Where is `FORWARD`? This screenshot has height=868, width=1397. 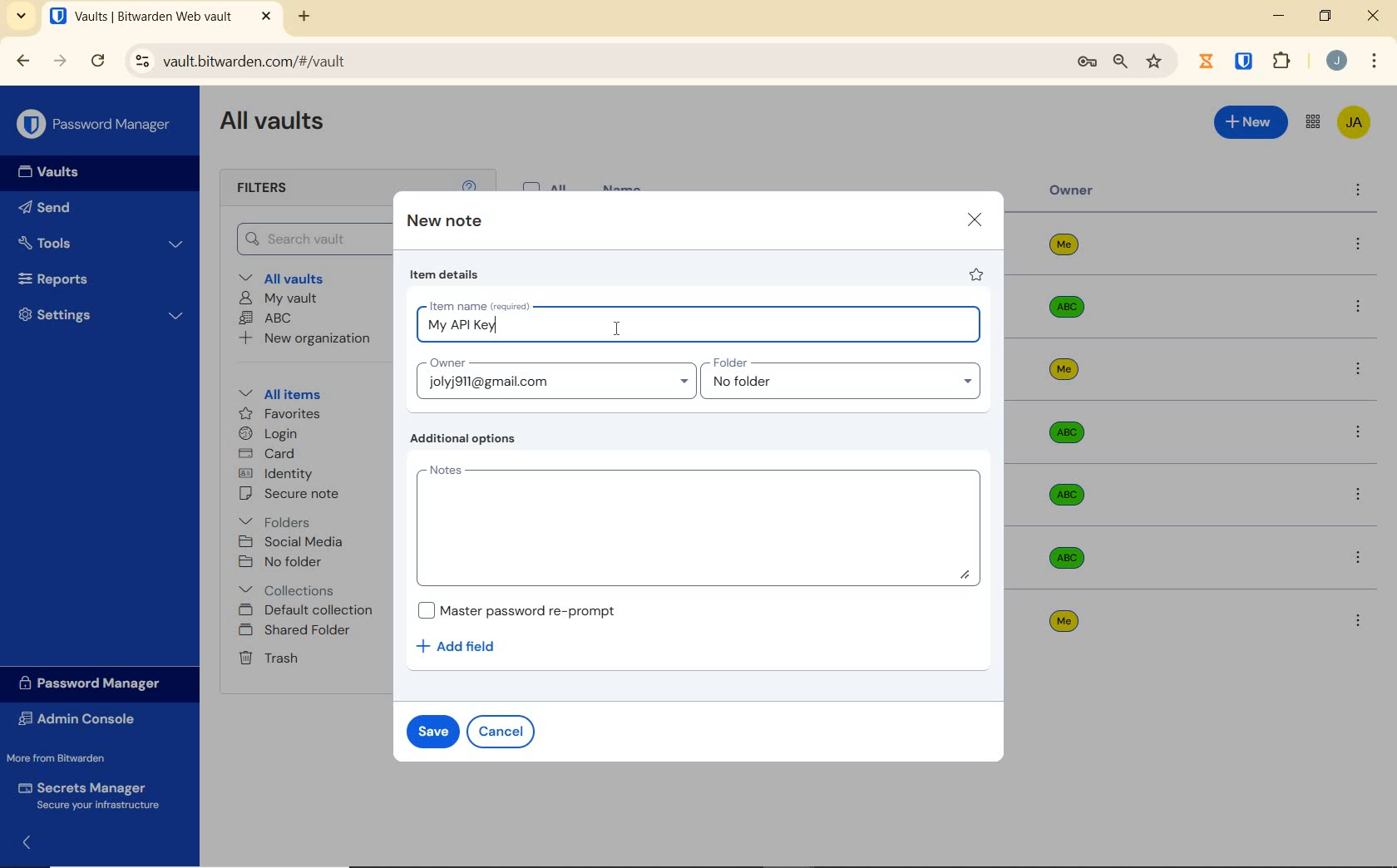
FORWARD is located at coordinates (61, 62).